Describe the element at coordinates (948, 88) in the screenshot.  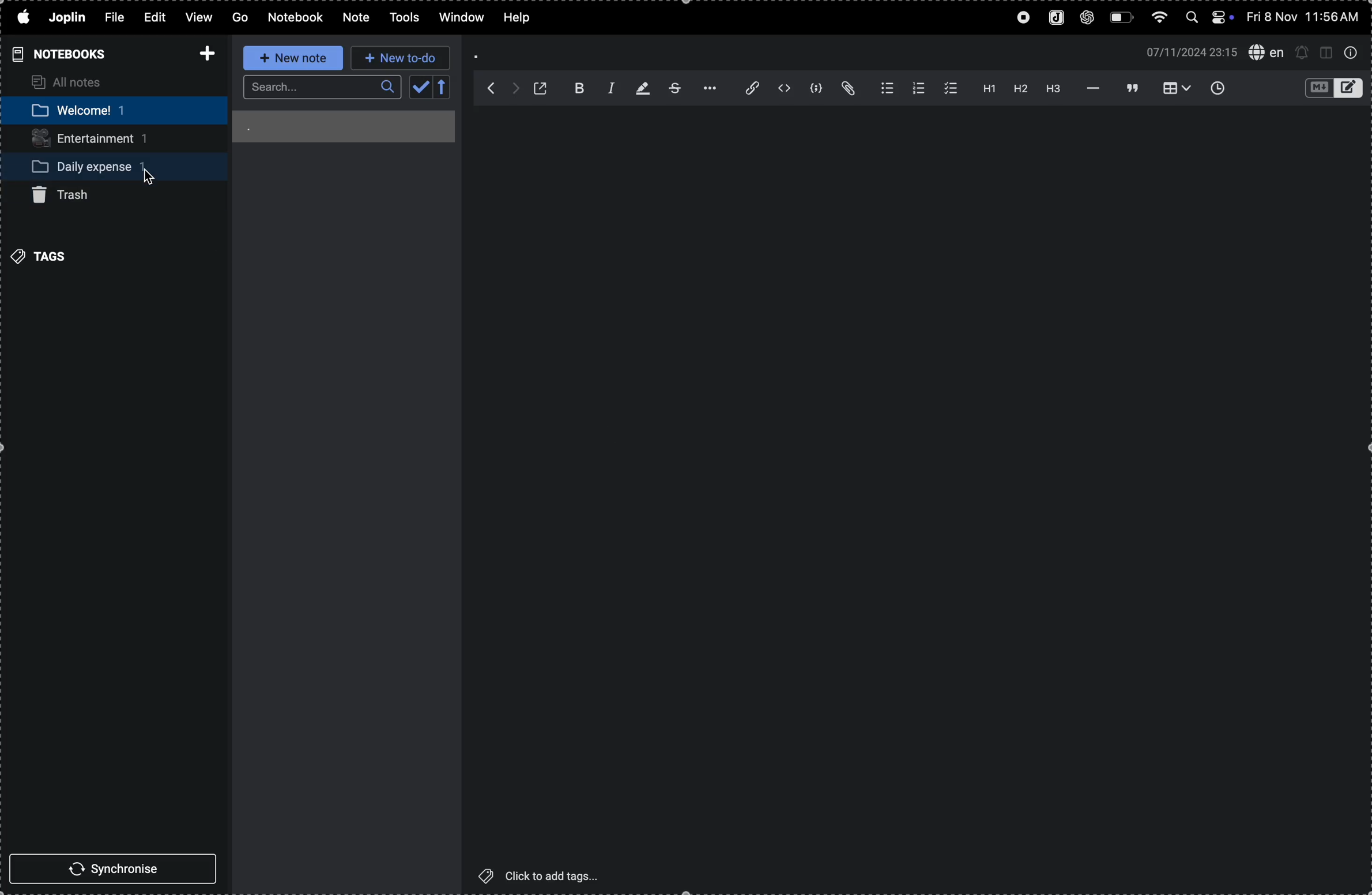
I see `checklist` at that location.